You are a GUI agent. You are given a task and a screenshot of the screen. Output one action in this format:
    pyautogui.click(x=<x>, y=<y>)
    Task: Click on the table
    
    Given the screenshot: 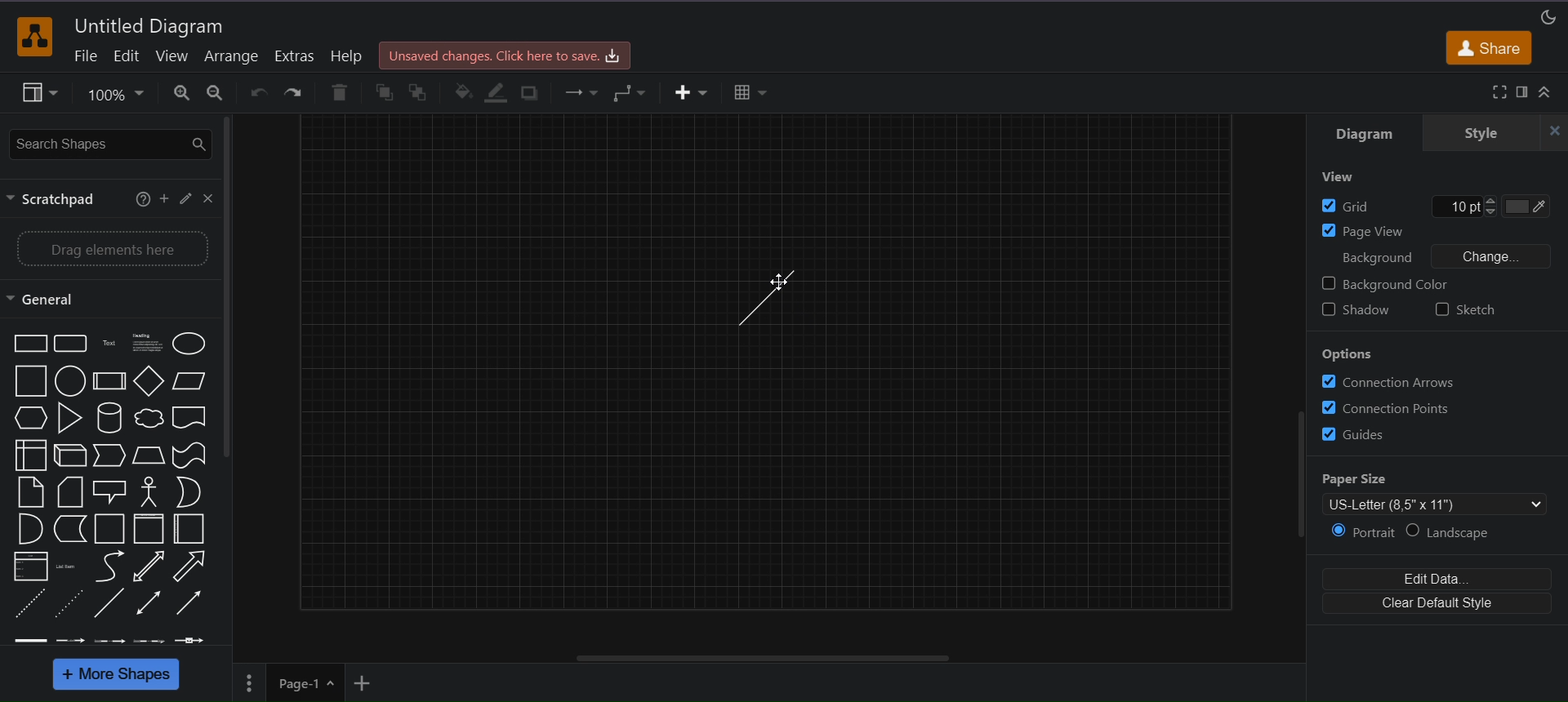 What is the action you would take?
    pyautogui.click(x=751, y=91)
    